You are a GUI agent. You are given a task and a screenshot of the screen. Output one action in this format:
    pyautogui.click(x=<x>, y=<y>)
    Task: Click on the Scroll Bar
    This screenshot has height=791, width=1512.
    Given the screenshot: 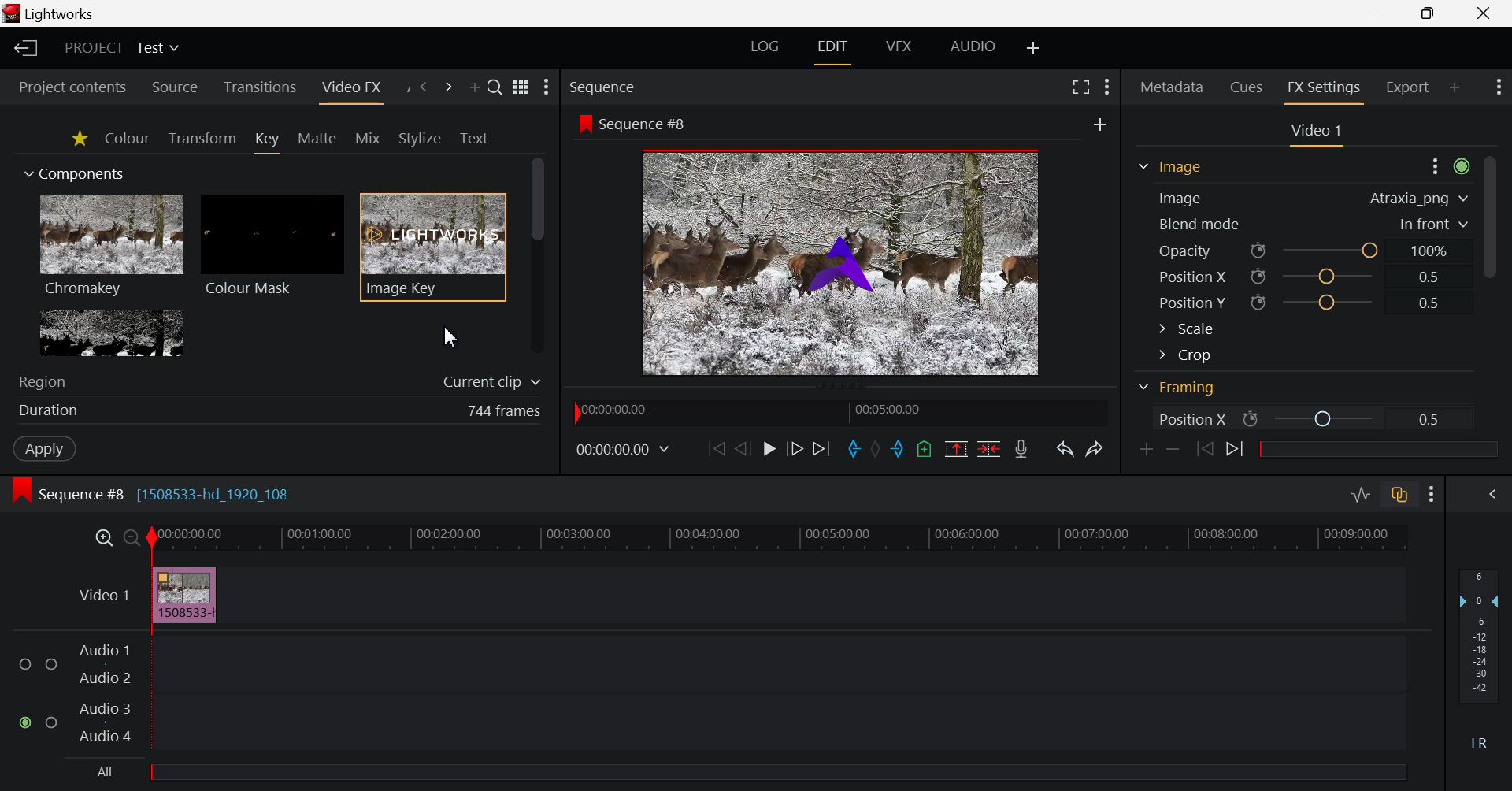 What is the action you would take?
    pyautogui.click(x=538, y=254)
    